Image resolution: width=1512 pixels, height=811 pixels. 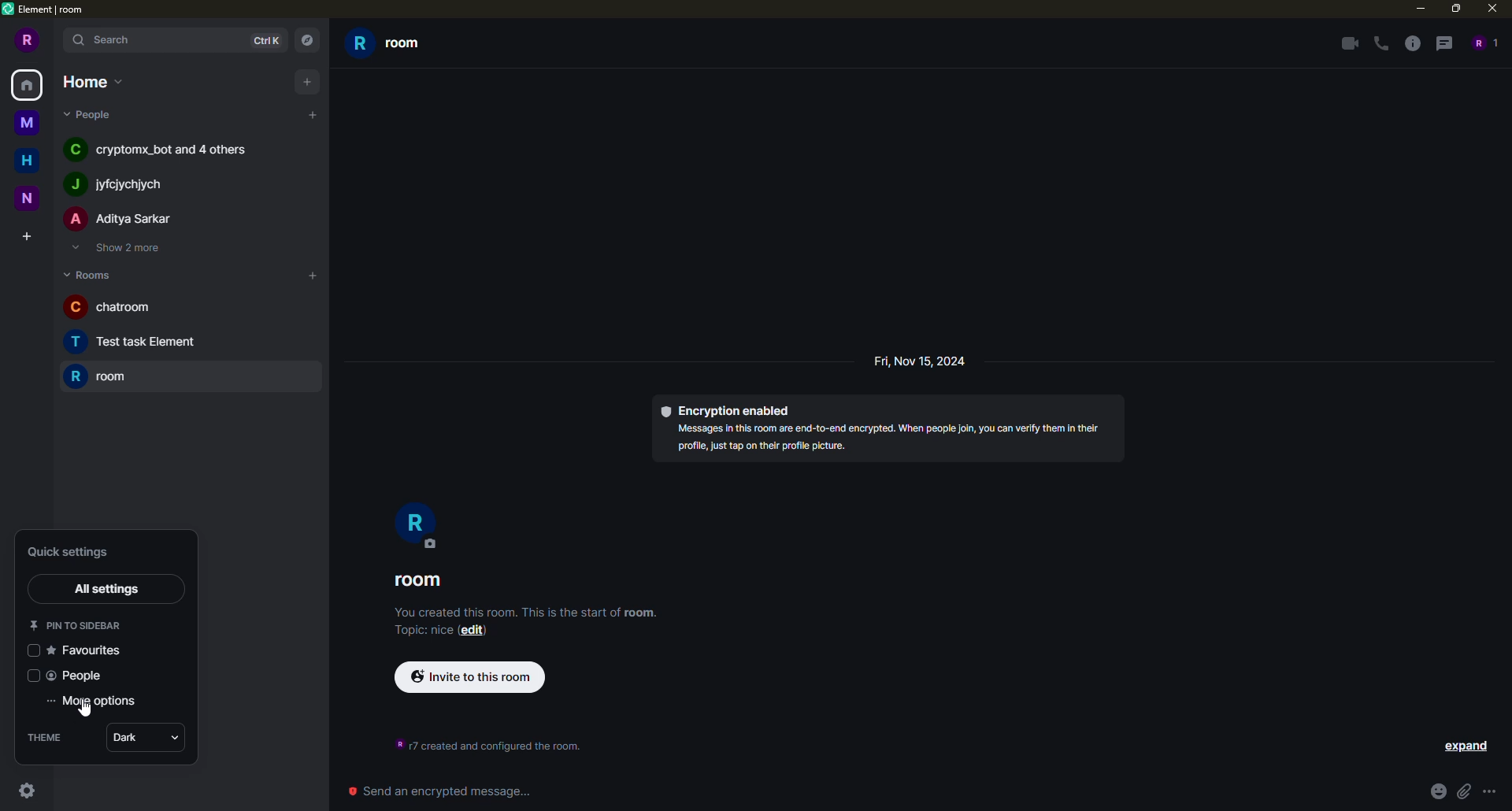 What do you see at coordinates (1347, 43) in the screenshot?
I see `video call` at bounding box center [1347, 43].